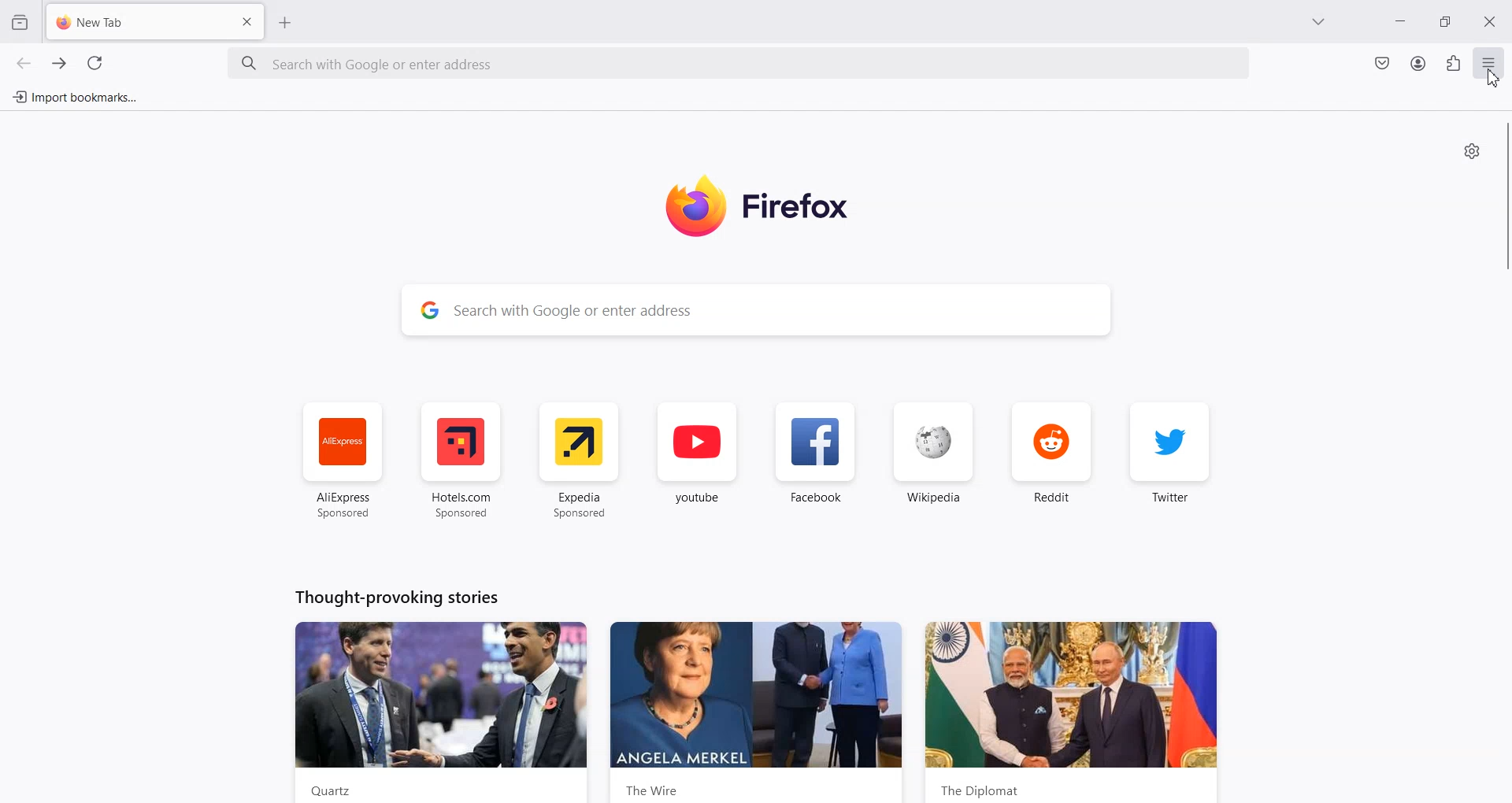  Describe the element at coordinates (737, 66) in the screenshot. I see `Search Bar` at that location.